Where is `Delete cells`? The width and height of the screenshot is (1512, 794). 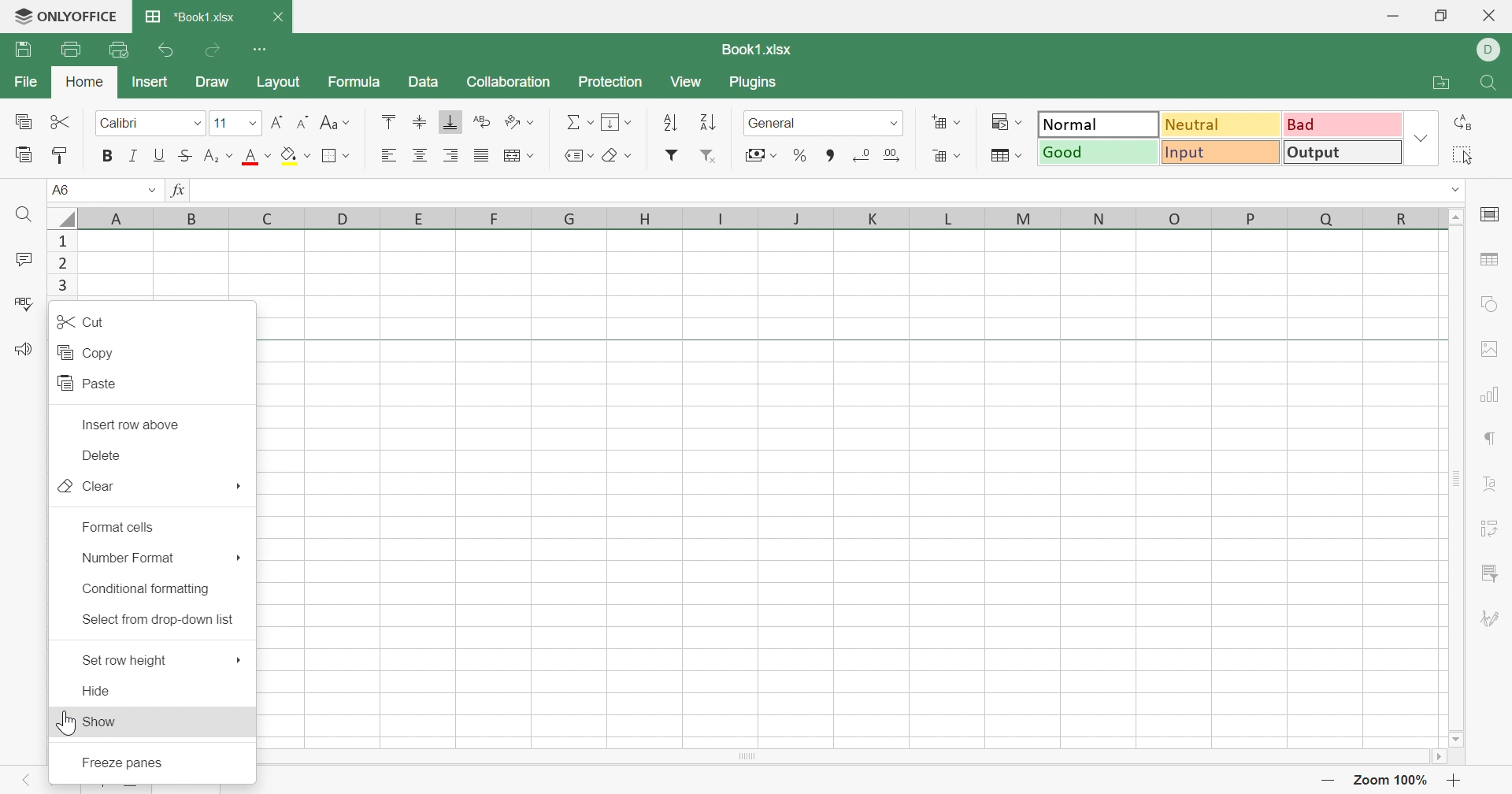 Delete cells is located at coordinates (947, 157).